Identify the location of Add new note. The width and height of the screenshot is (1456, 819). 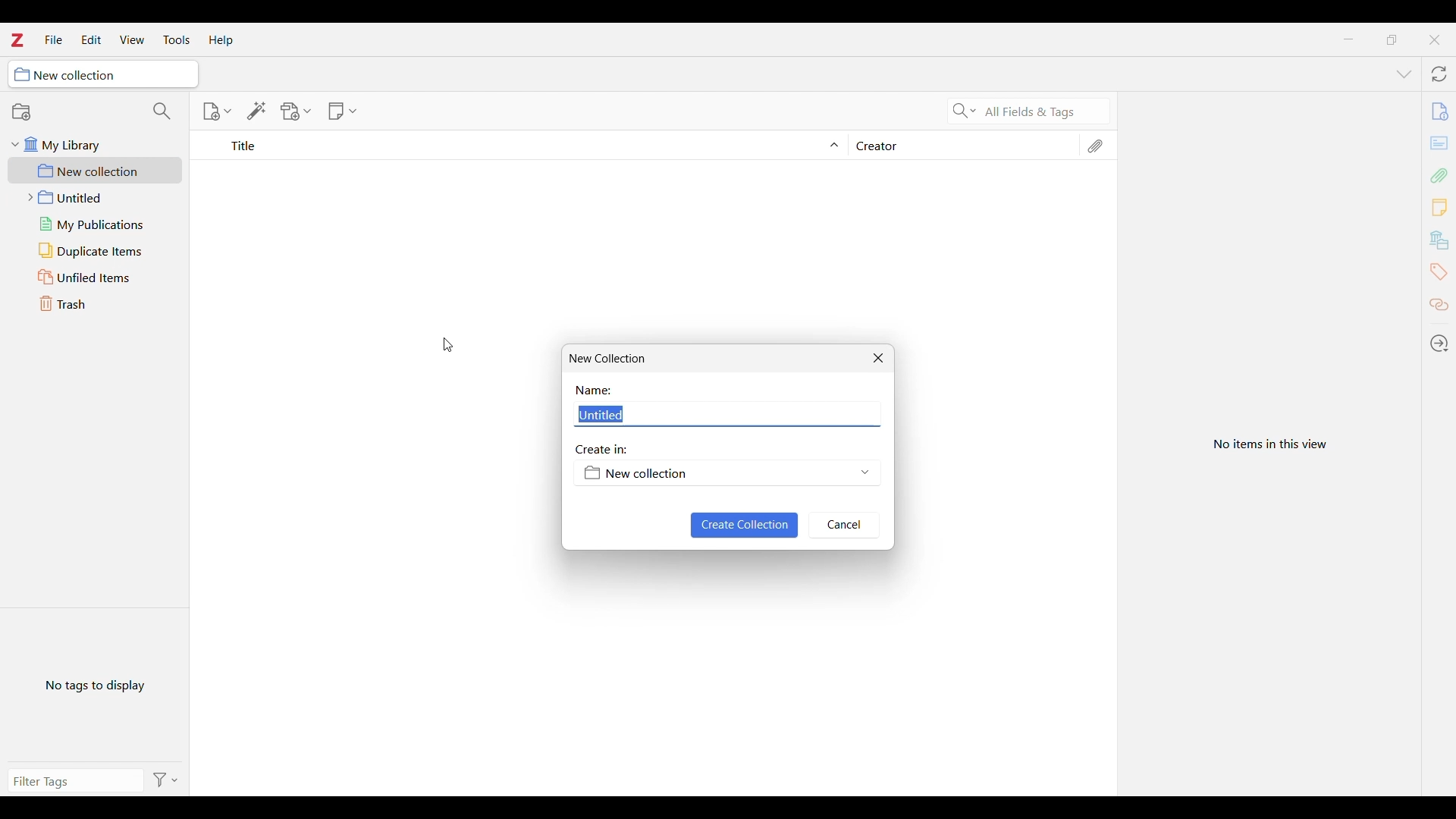
(1439, 207).